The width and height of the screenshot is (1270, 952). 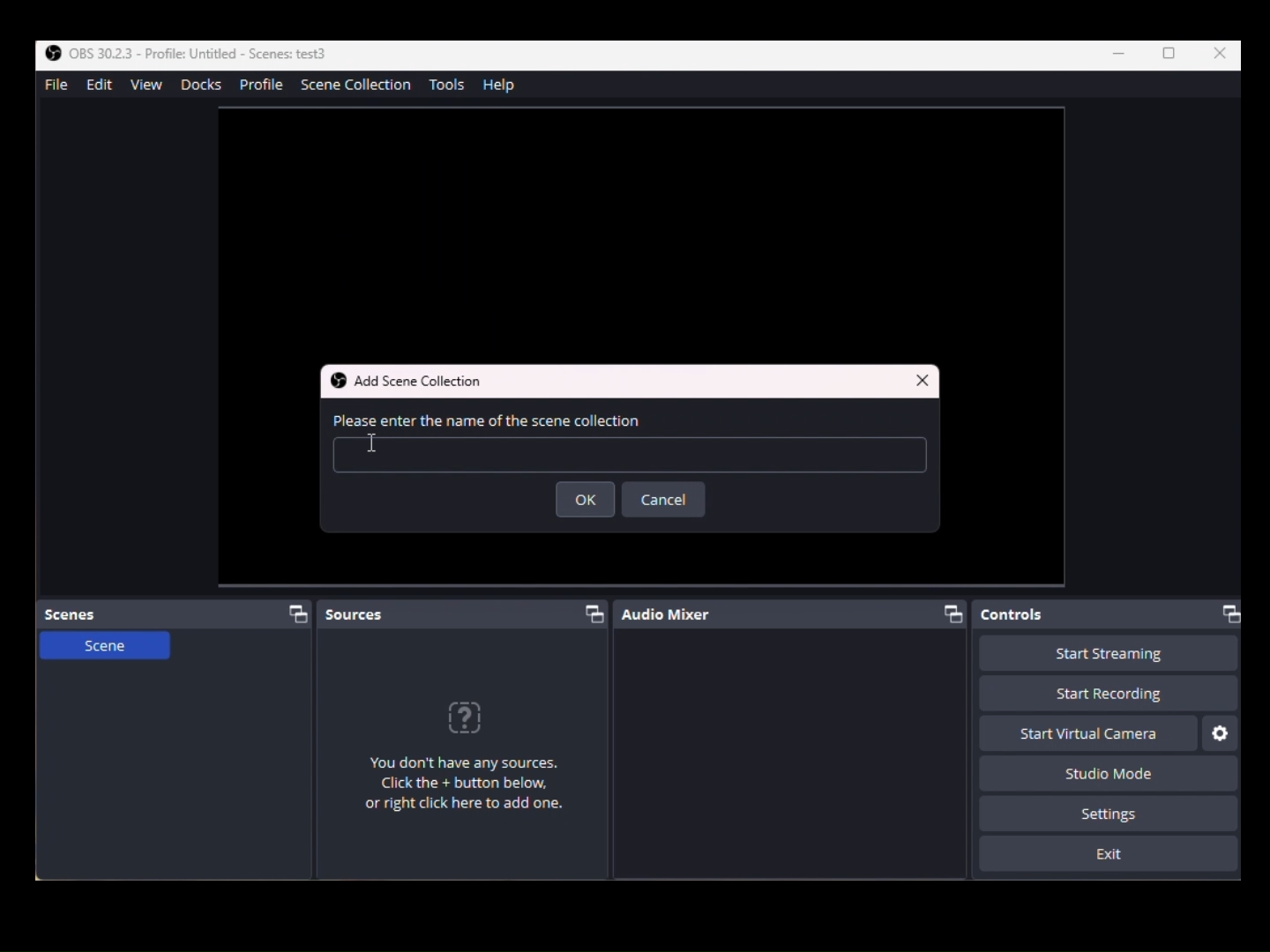 What do you see at coordinates (361, 87) in the screenshot?
I see `SceneCollection` at bounding box center [361, 87].